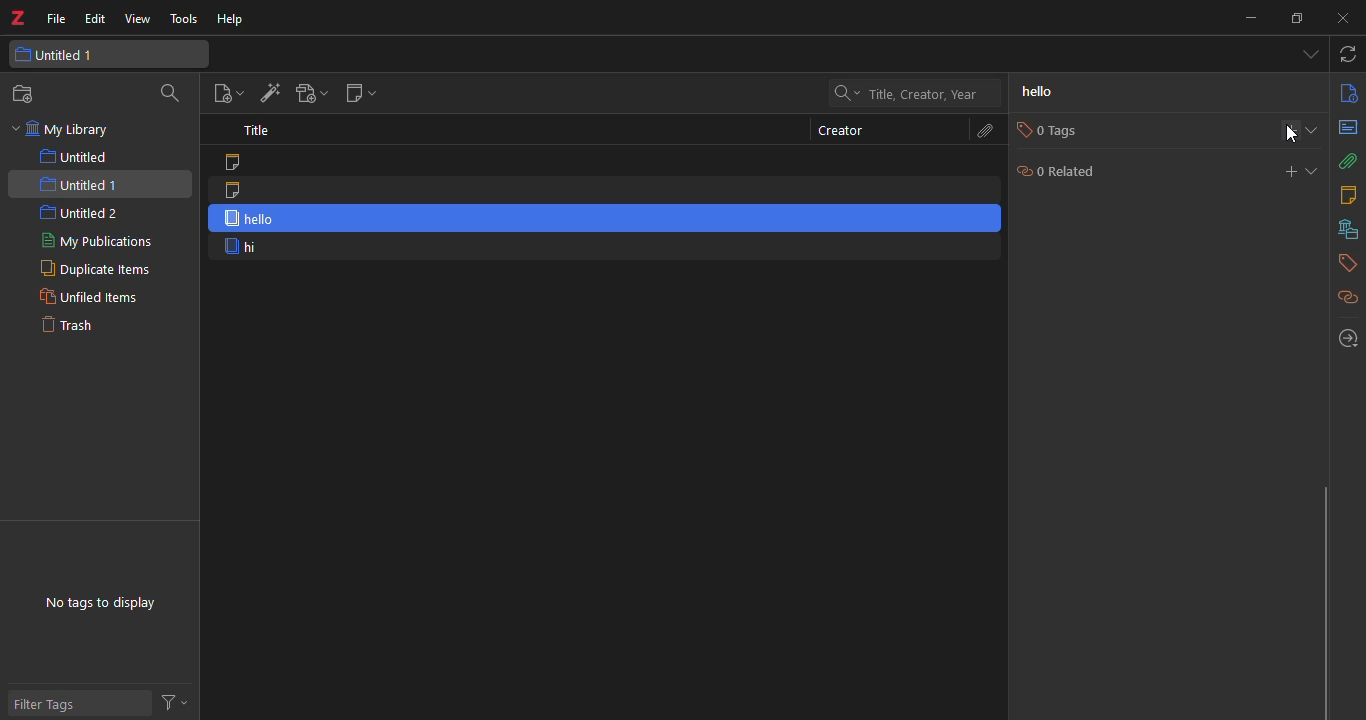  I want to click on note, so click(237, 190).